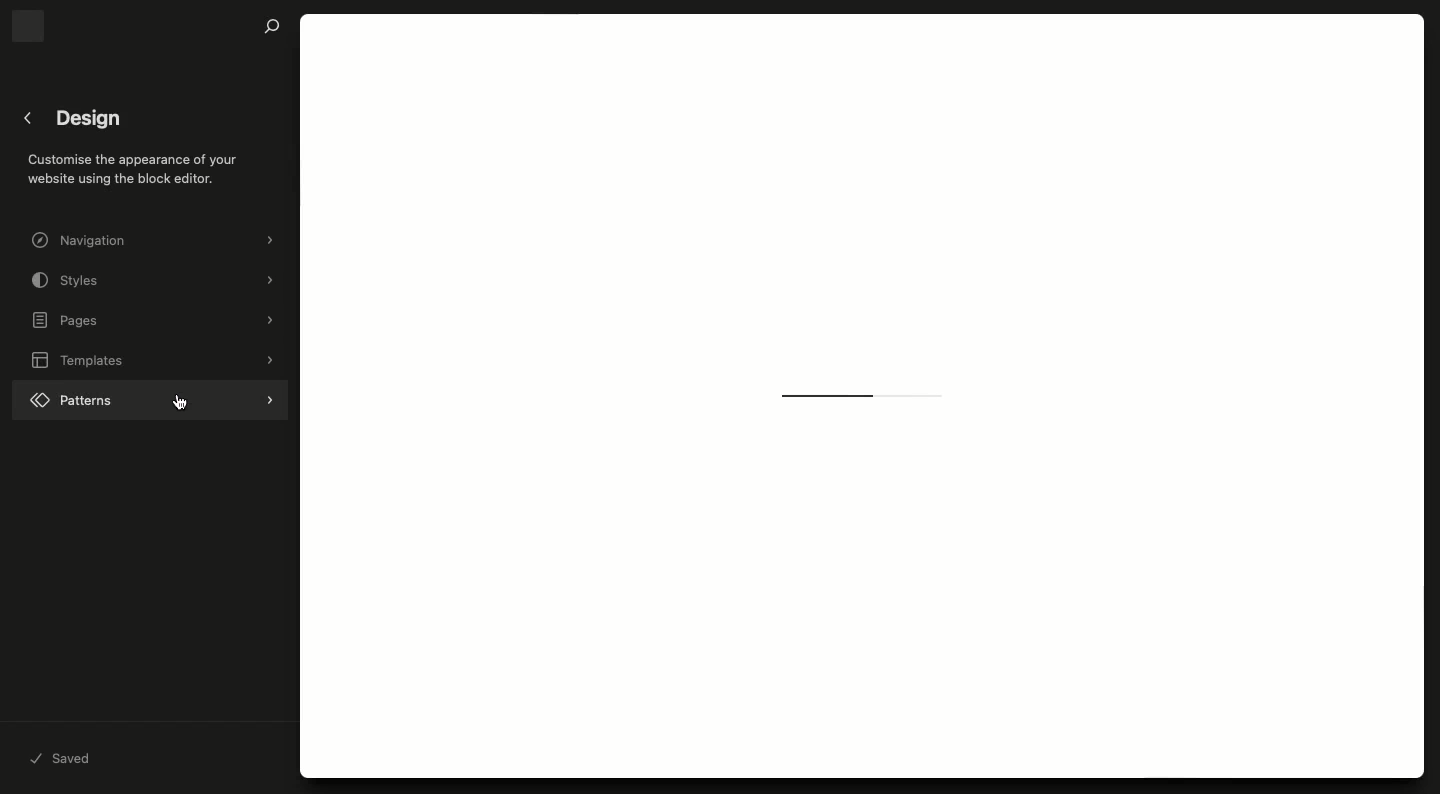 The width and height of the screenshot is (1440, 794). Describe the element at coordinates (155, 321) in the screenshot. I see `Pages` at that location.